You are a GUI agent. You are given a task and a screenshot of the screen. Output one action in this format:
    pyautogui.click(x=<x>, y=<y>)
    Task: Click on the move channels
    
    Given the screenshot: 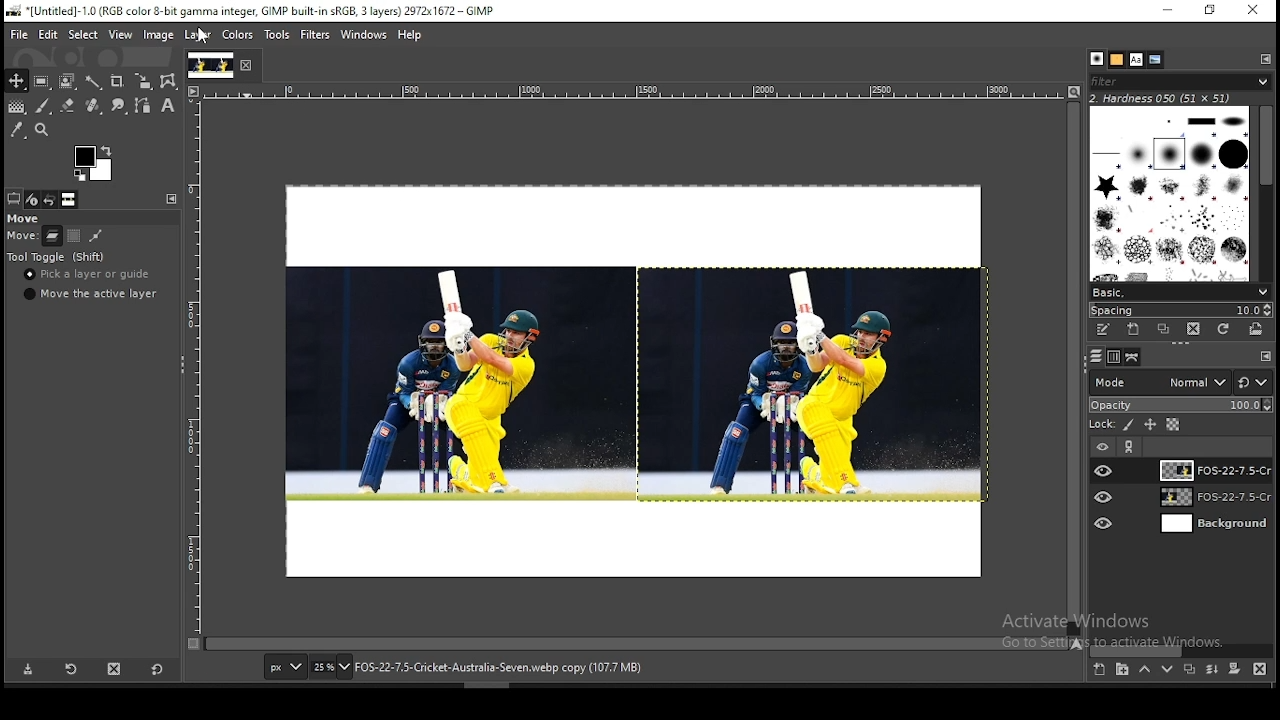 What is the action you would take?
    pyautogui.click(x=73, y=236)
    